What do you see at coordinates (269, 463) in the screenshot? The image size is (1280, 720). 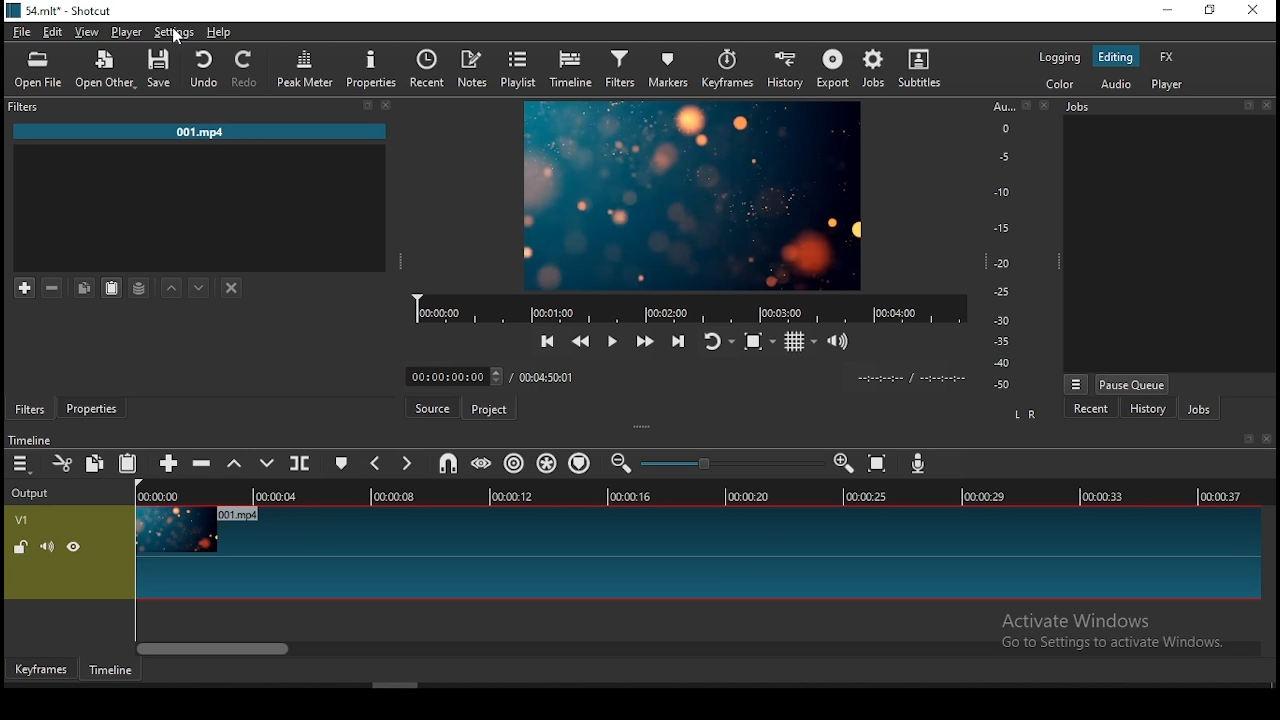 I see `overwrite` at bounding box center [269, 463].